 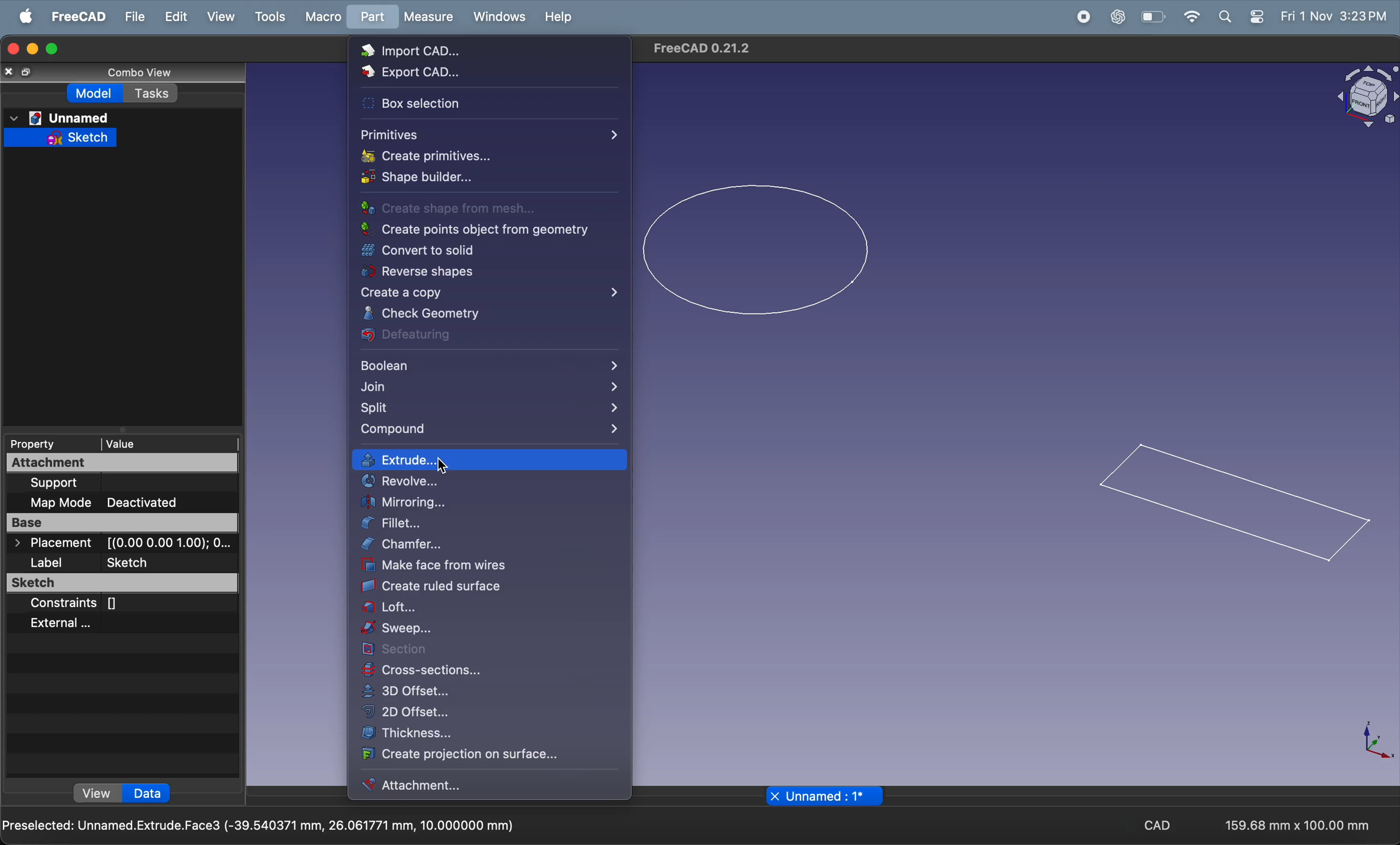 I want to click on settings, so click(x=1258, y=17).